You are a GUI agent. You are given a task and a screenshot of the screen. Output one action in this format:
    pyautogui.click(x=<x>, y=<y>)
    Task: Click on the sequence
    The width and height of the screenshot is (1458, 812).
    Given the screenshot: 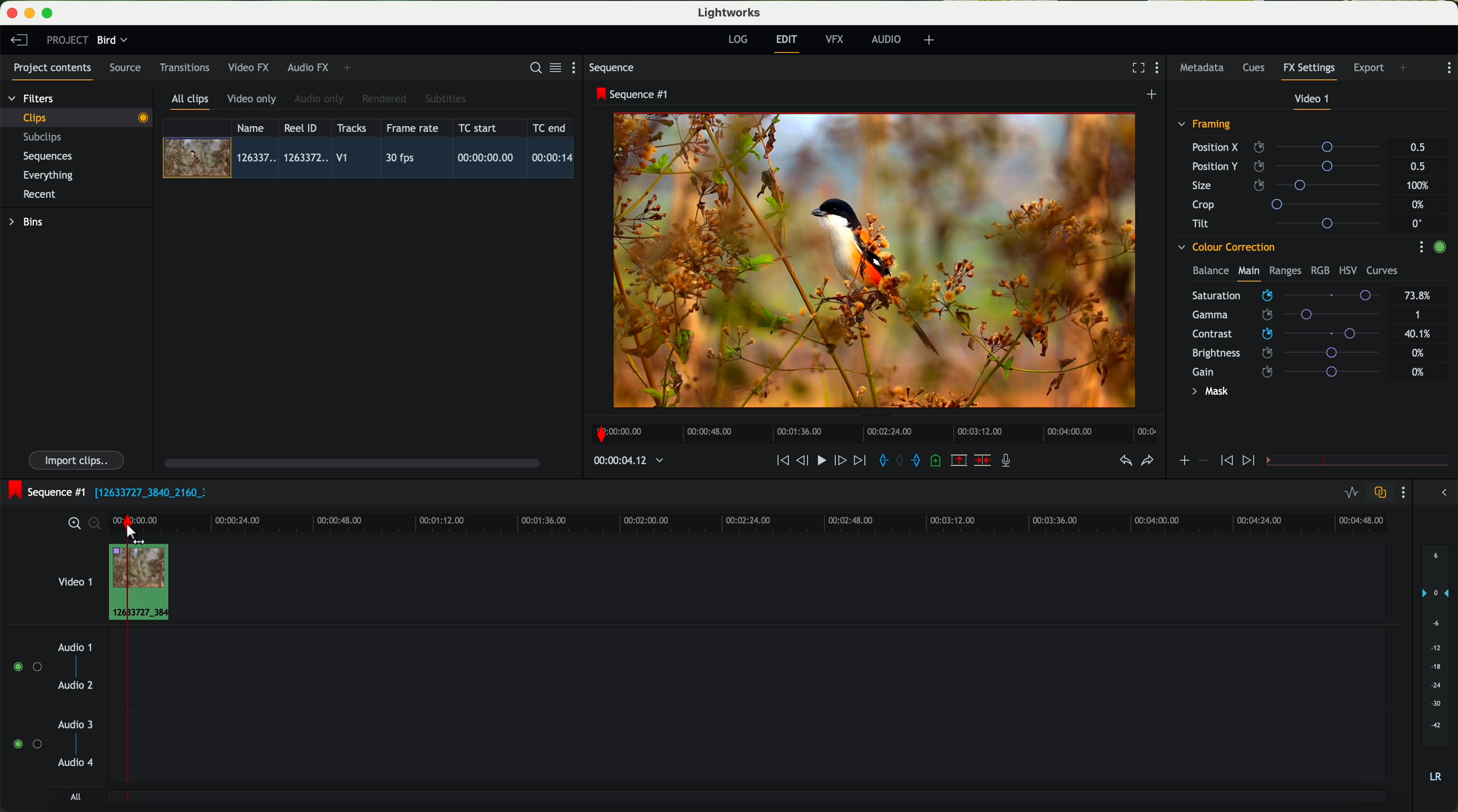 What is the action you would take?
    pyautogui.click(x=612, y=68)
    